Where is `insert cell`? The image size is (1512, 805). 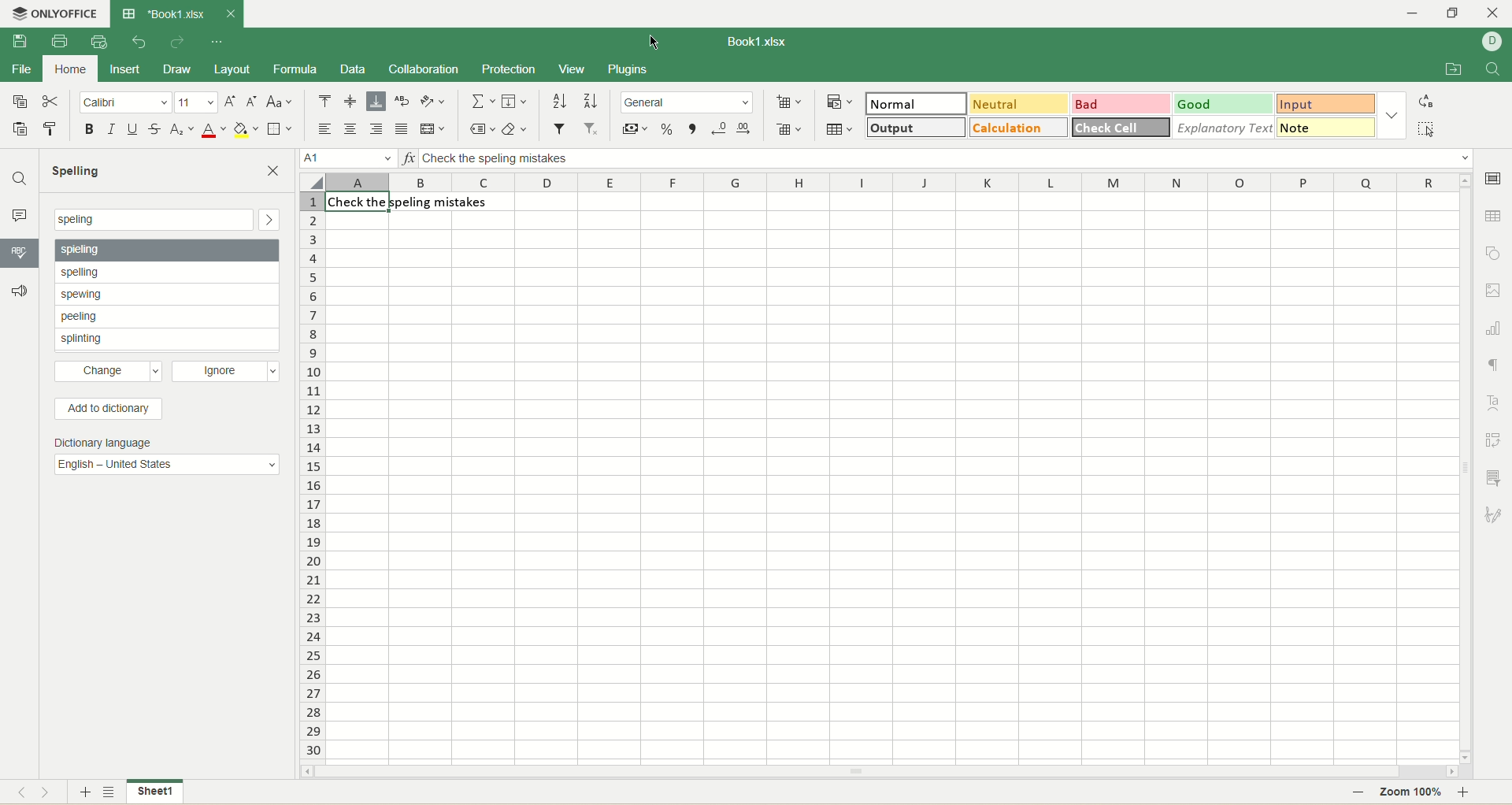 insert cell is located at coordinates (789, 101).